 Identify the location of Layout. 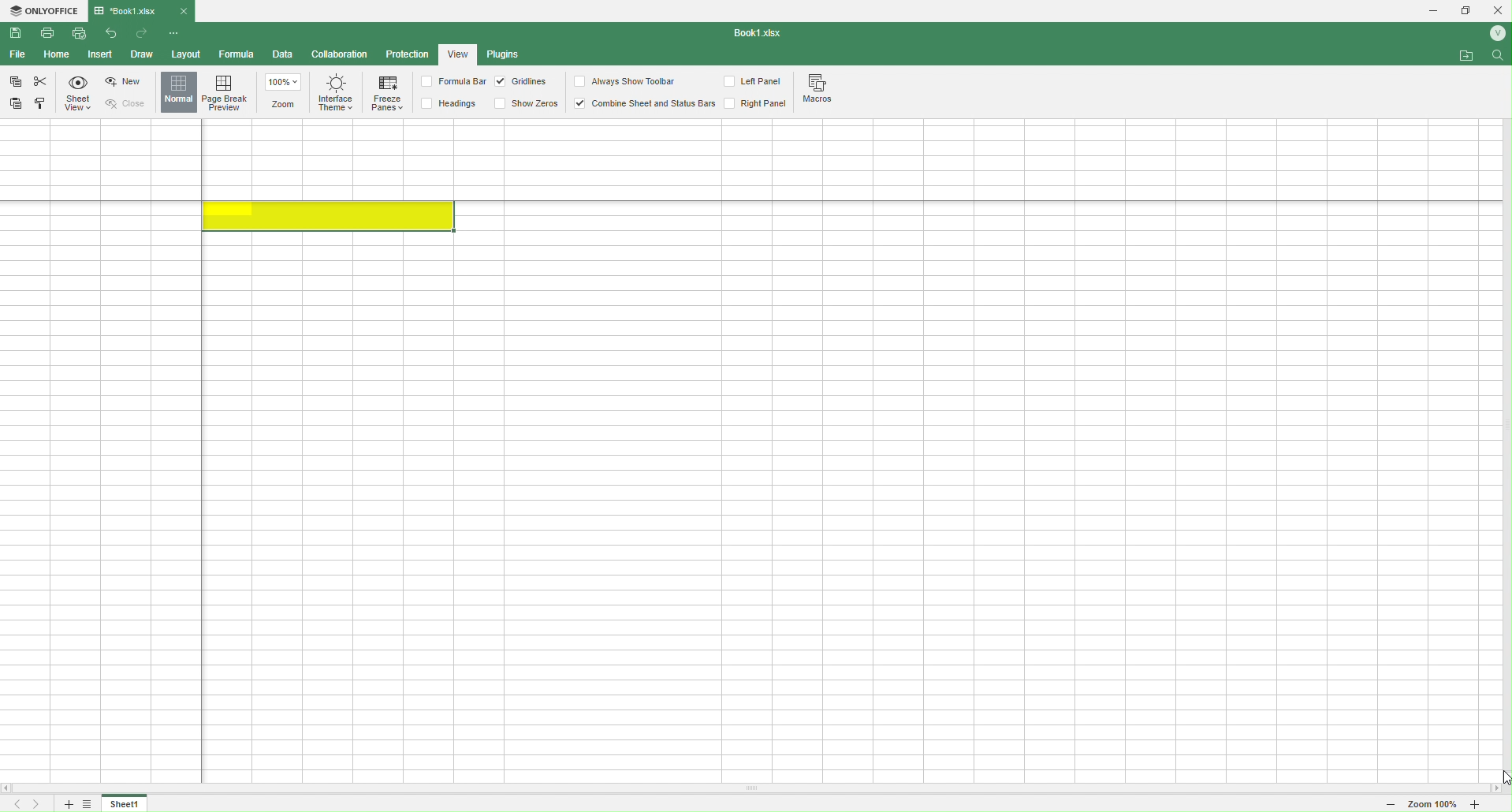
(184, 54).